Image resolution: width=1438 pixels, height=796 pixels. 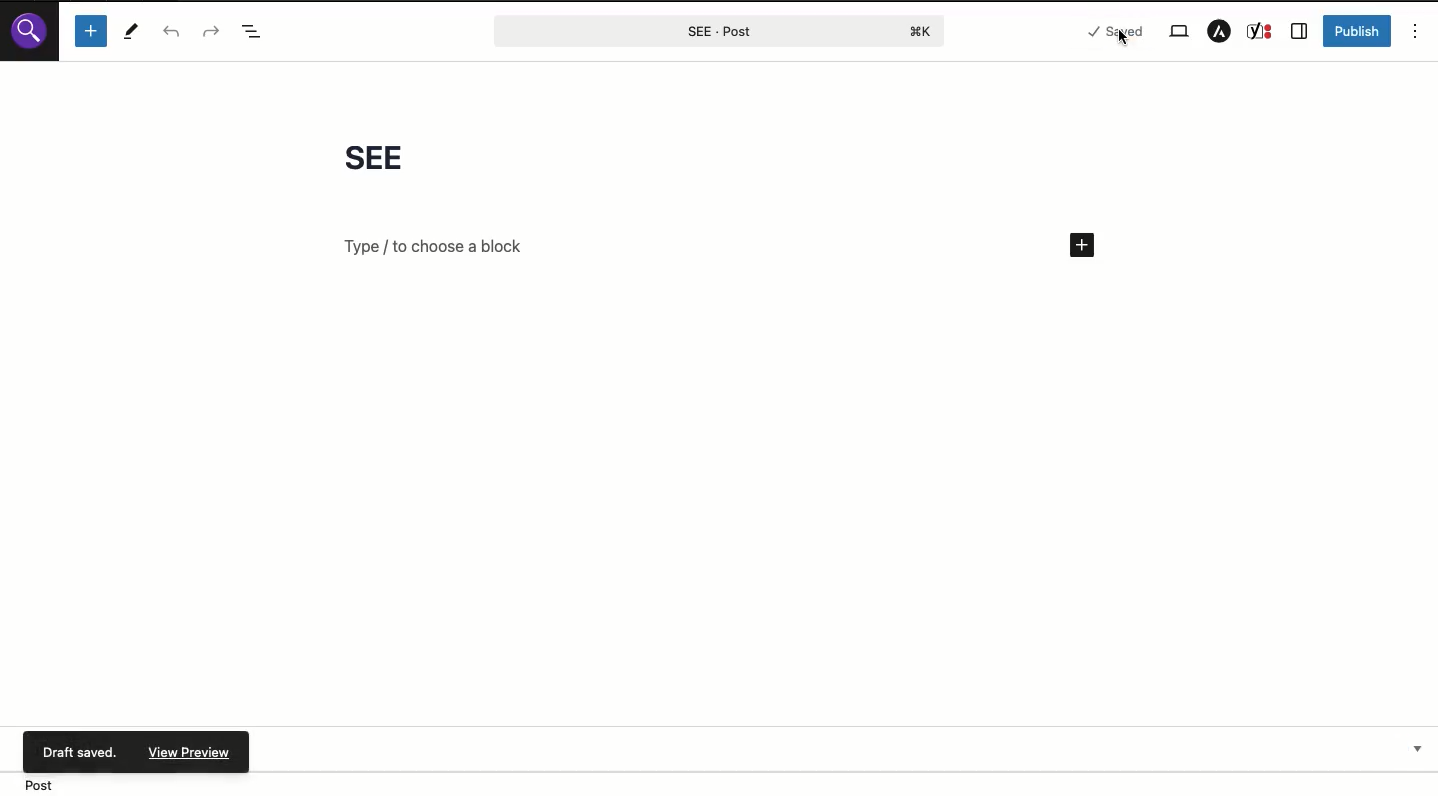 What do you see at coordinates (1261, 31) in the screenshot?
I see `Yoast` at bounding box center [1261, 31].